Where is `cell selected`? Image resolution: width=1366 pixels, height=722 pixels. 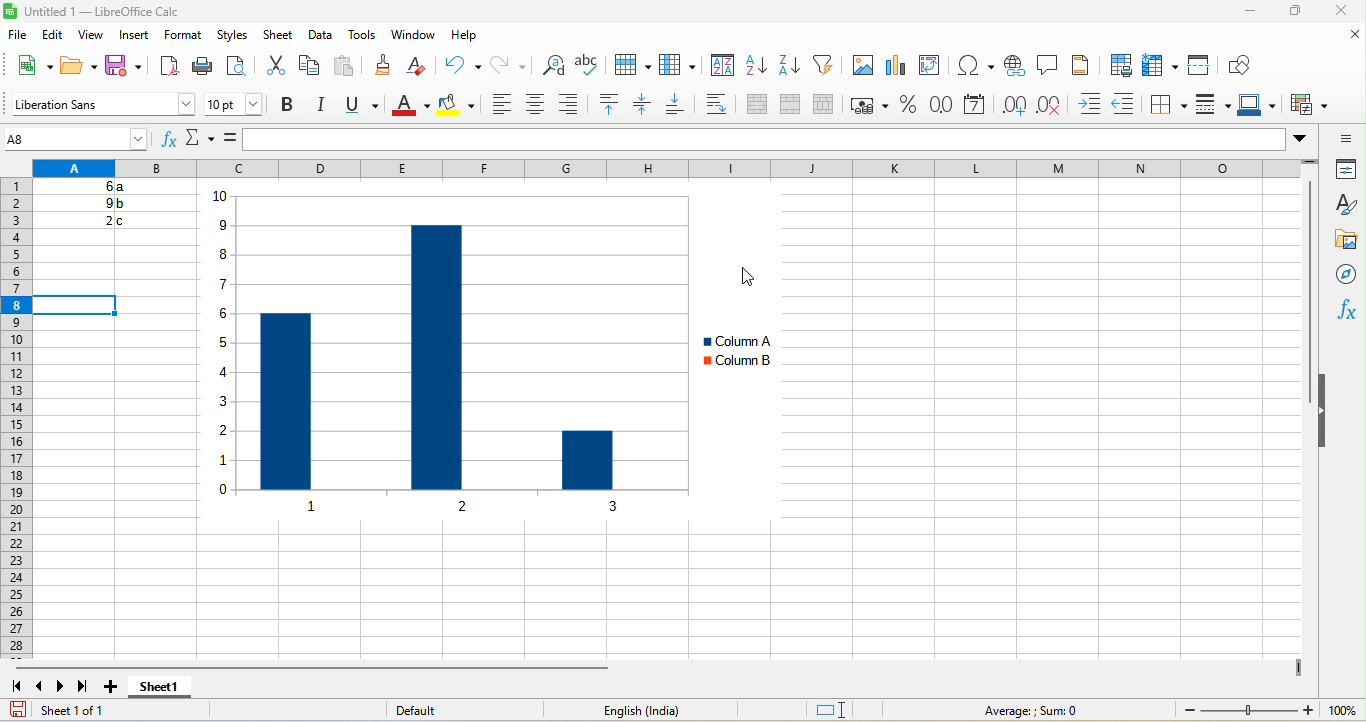 cell selected is located at coordinates (78, 304).